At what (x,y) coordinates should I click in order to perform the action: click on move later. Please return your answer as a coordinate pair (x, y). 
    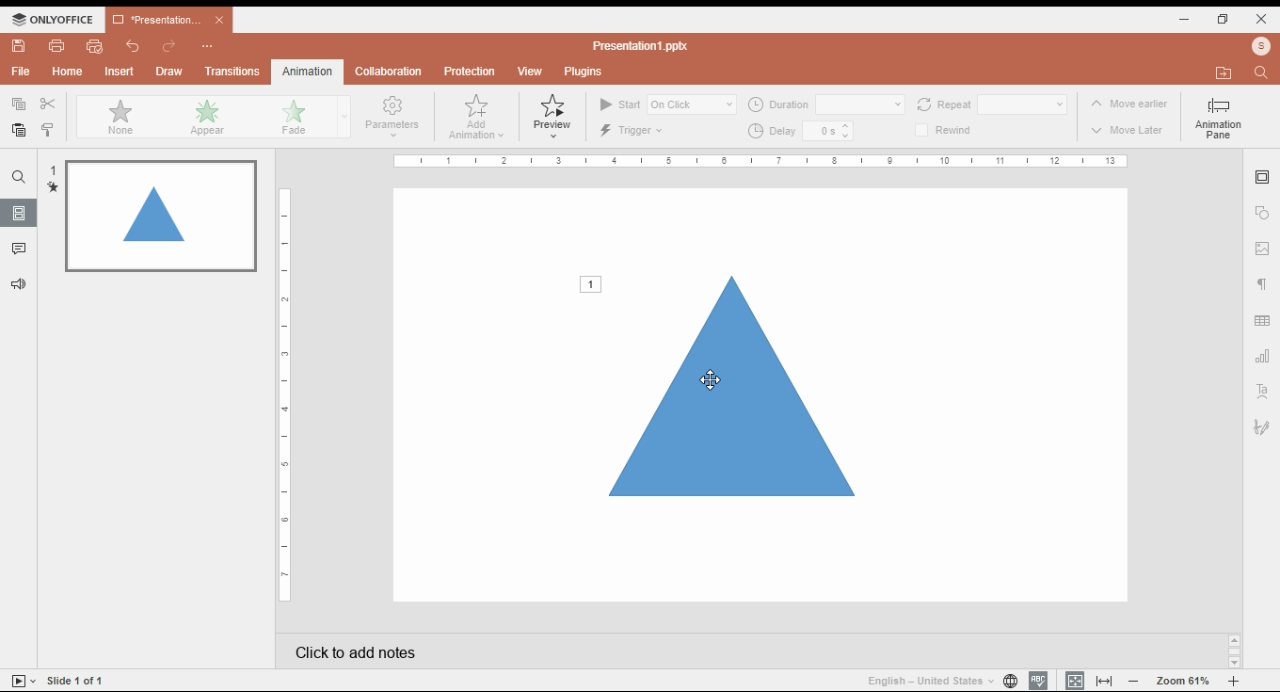
    Looking at the image, I should click on (1128, 129).